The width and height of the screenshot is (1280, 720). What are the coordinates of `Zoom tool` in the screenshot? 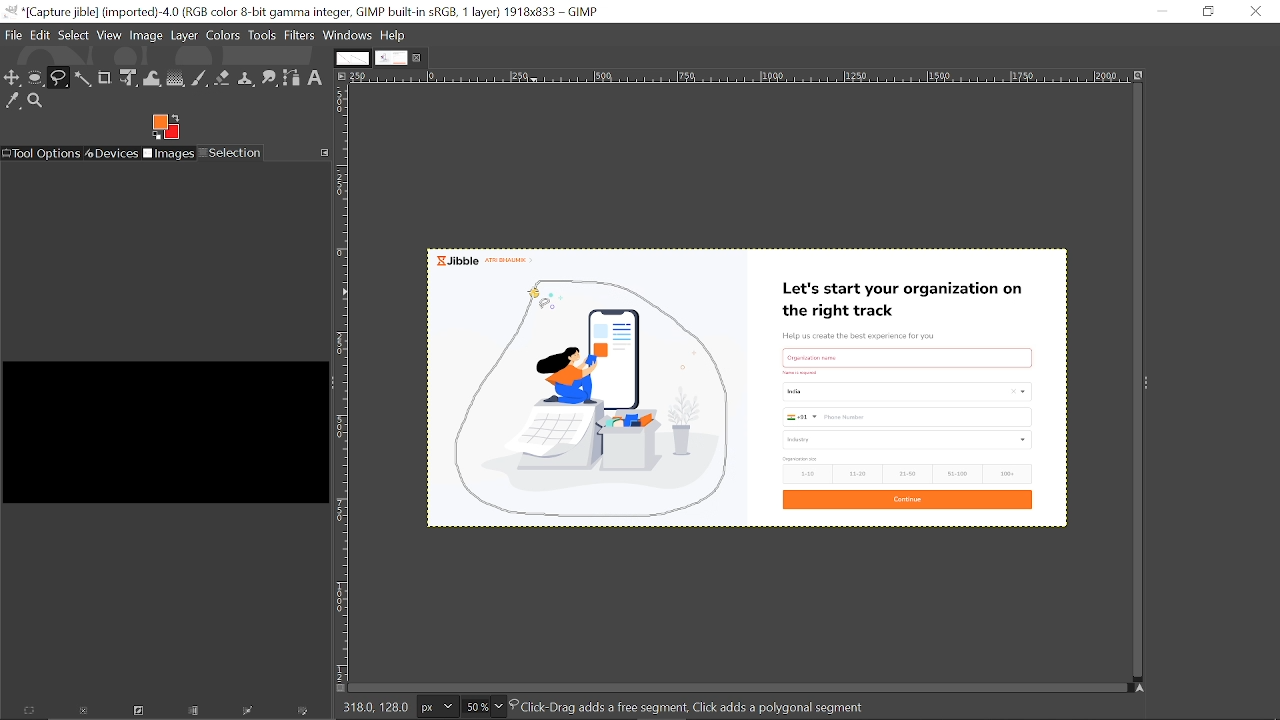 It's located at (36, 101).